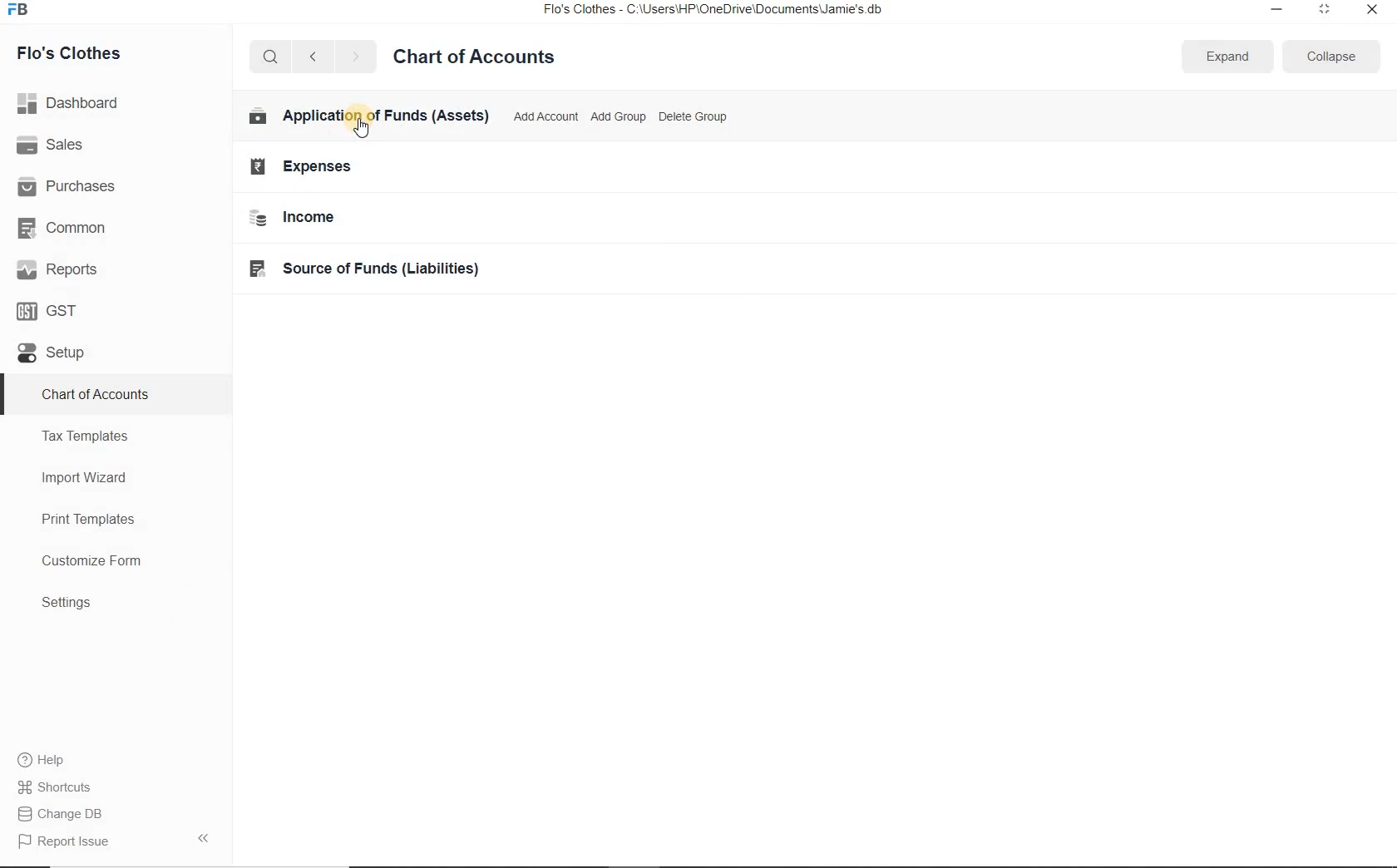 The width and height of the screenshot is (1397, 868). What do you see at coordinates (42, 760) in the screenshot?
I see `help` at bounding box center [42, 760].